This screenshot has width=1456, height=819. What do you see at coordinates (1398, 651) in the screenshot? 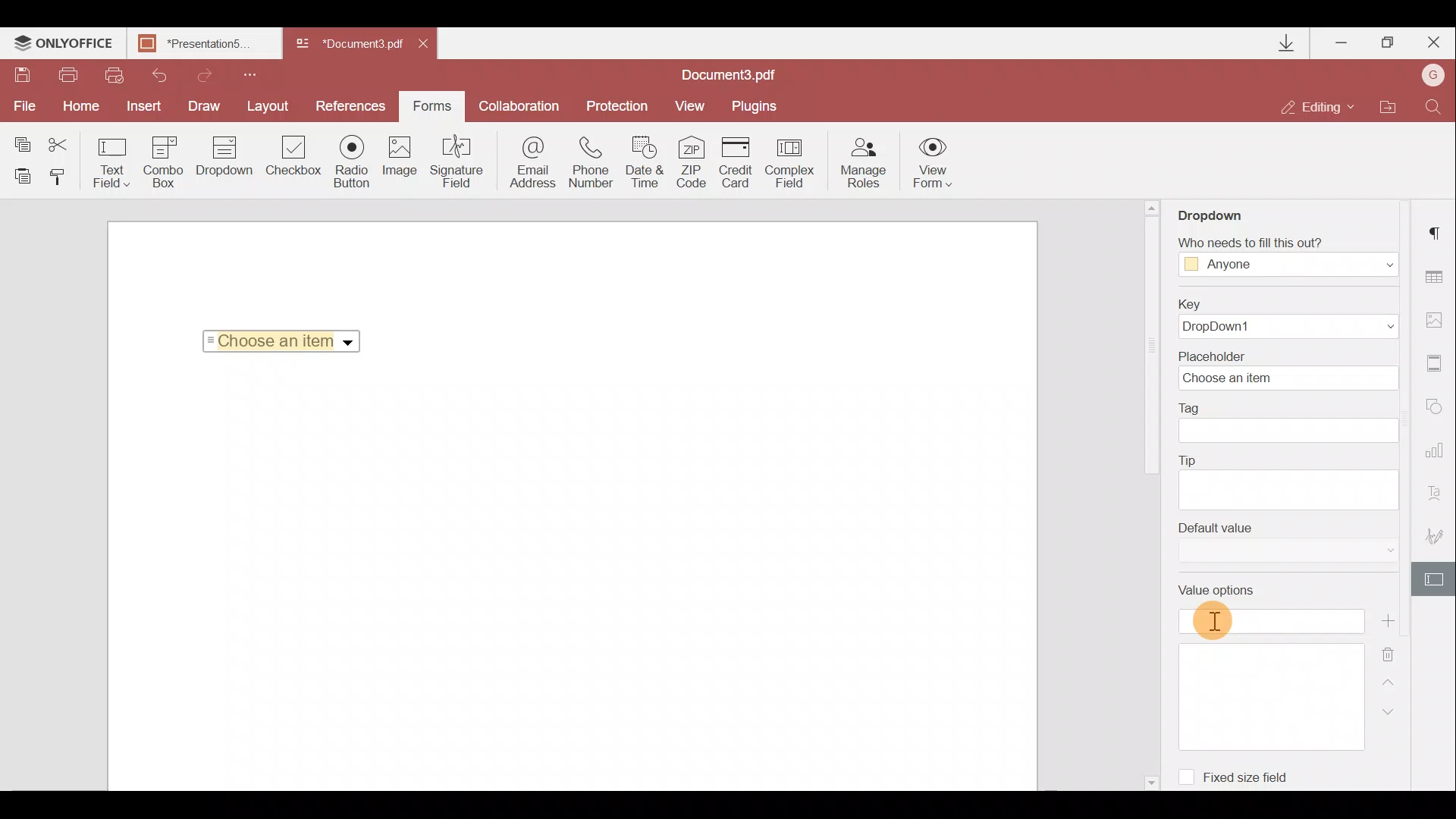
I see `Delete` at bounding box center [1398, 651].